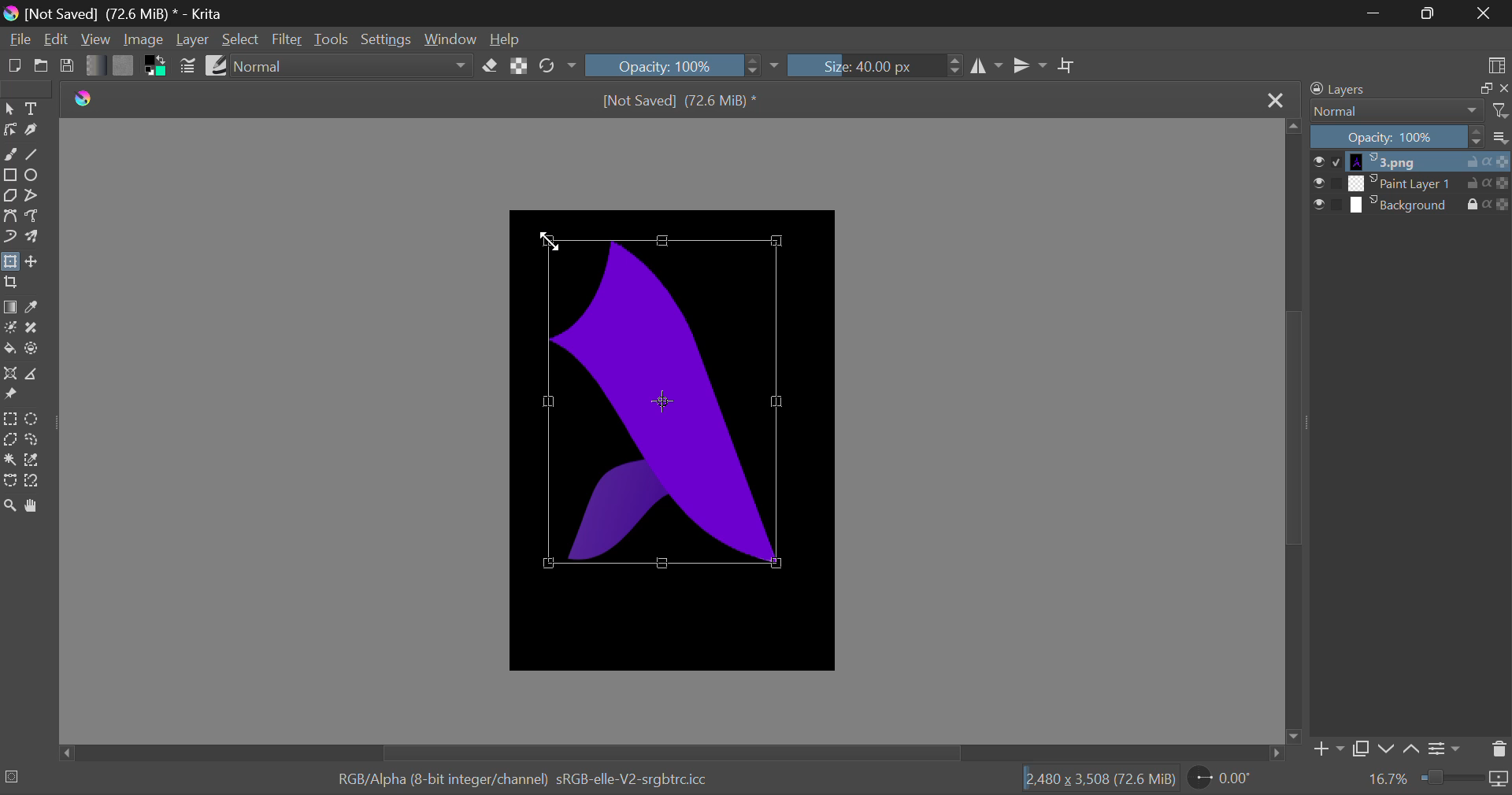 The image size is (1512, 795). I want to click on logo, so click(13, 15).